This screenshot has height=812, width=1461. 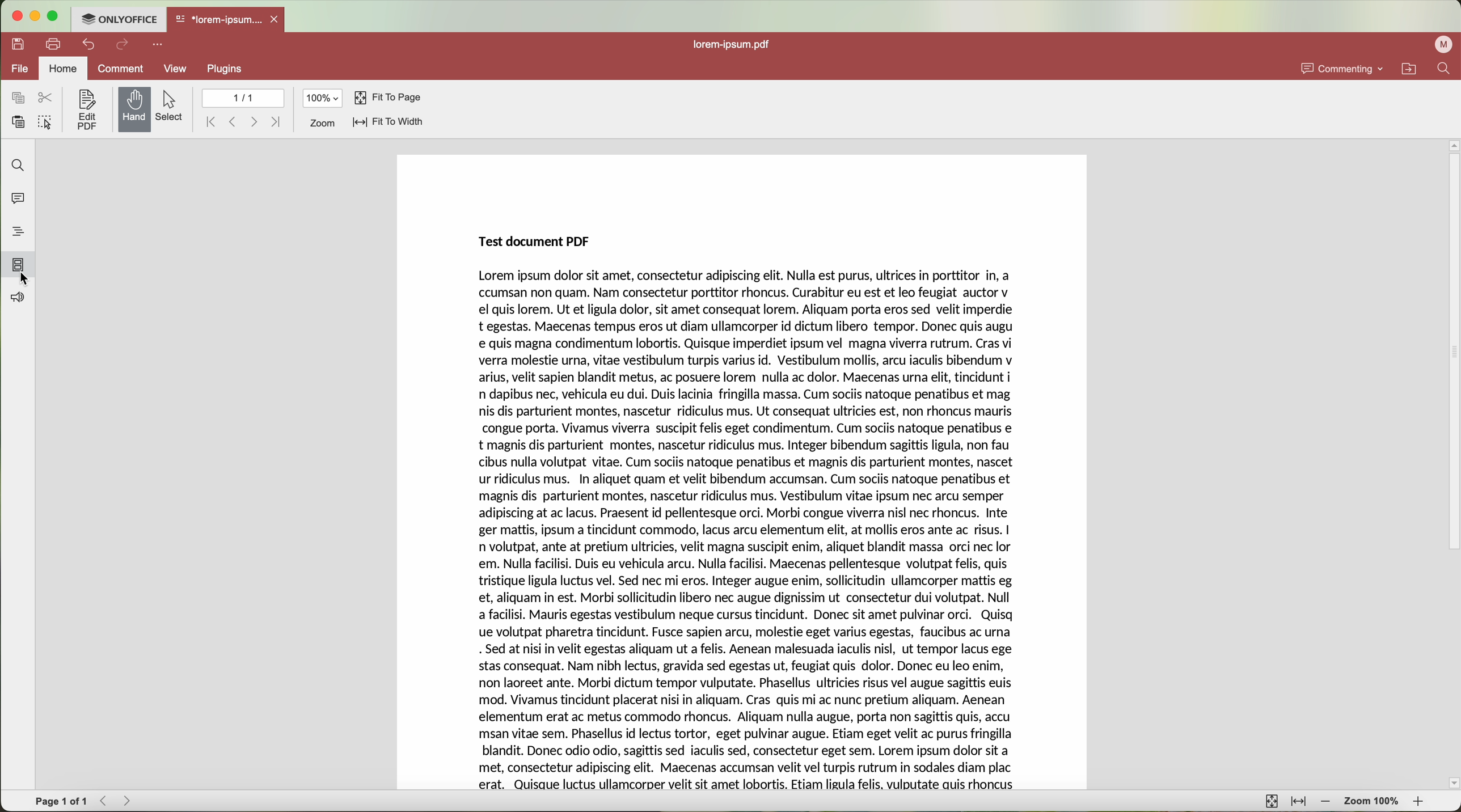 What do you see at coordinates (33, 16) in the screenshot?
I see `minimize program` at bounding box center [33, 16].